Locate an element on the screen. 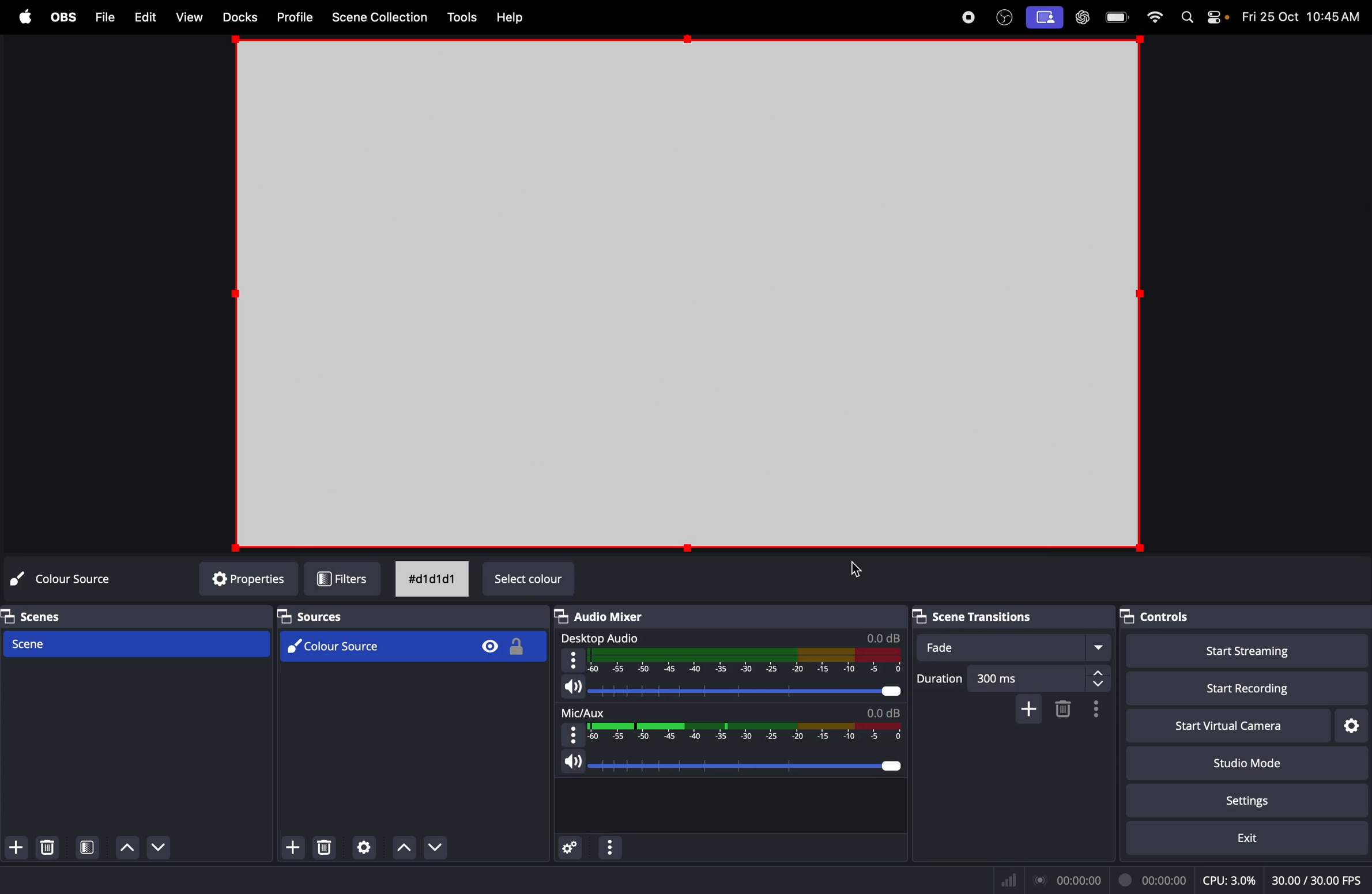 This screenshot has width=1372, height=894. Scene is located at coordinates (140, 642).